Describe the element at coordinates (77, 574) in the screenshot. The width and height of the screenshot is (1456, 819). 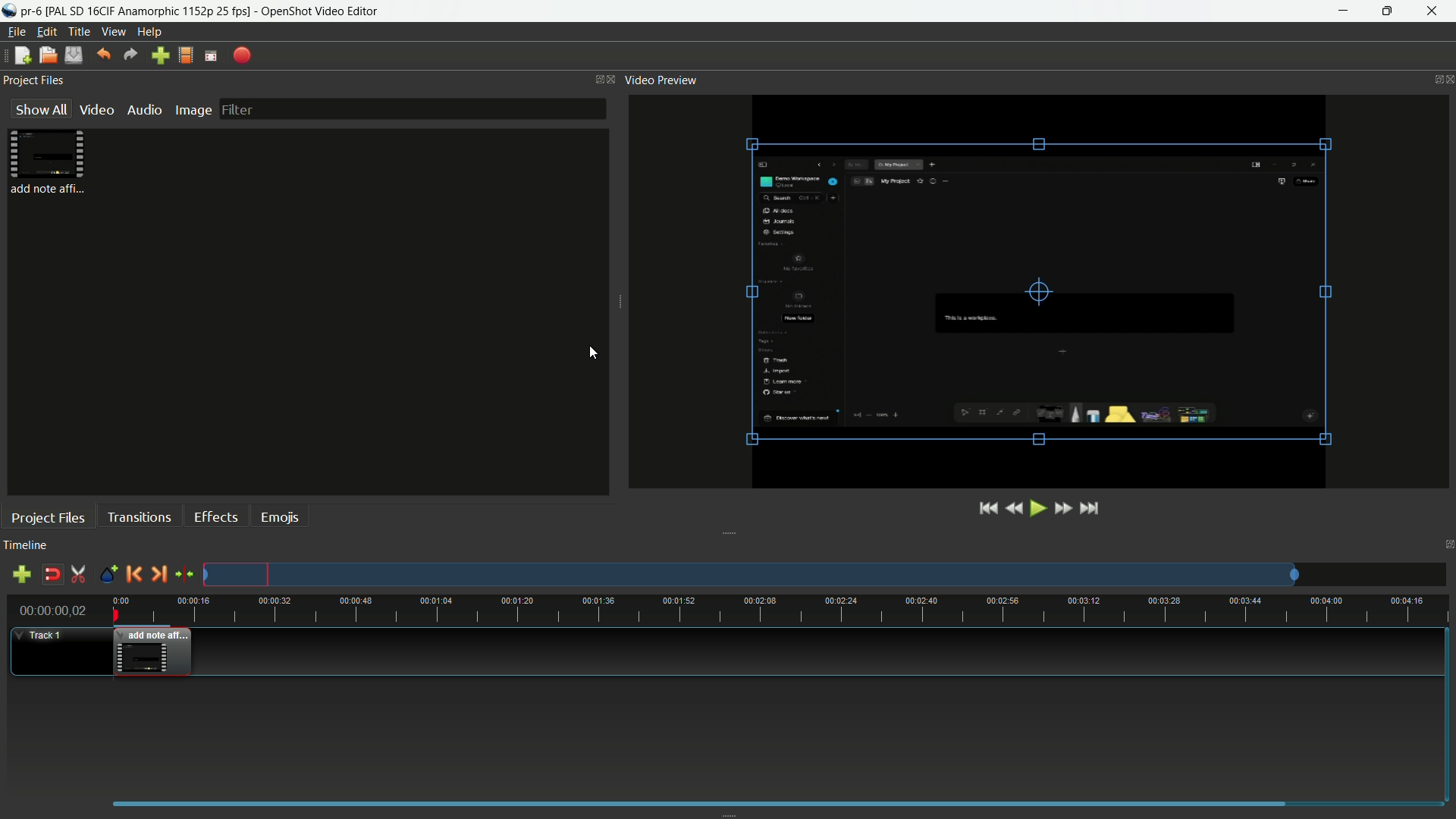
I see `enable razor` at that location.